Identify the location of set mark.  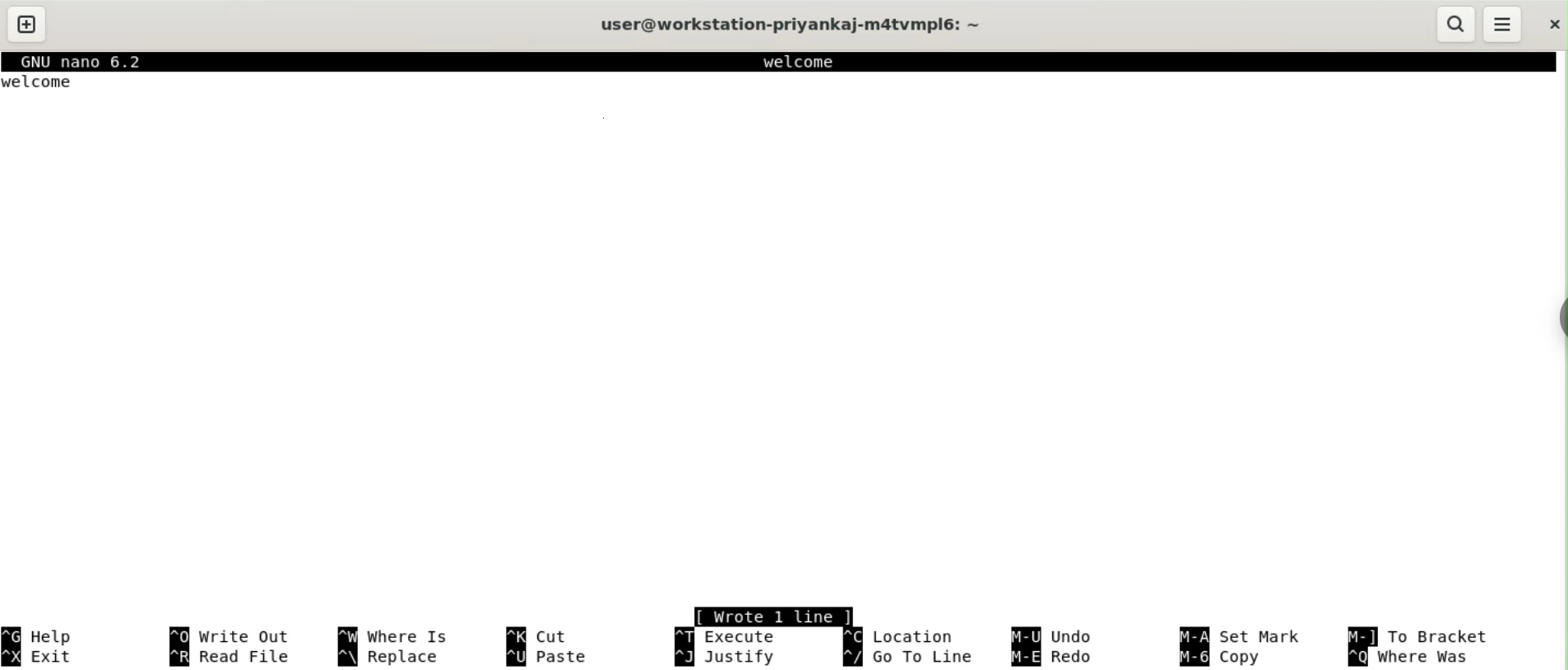
(1246, 636).